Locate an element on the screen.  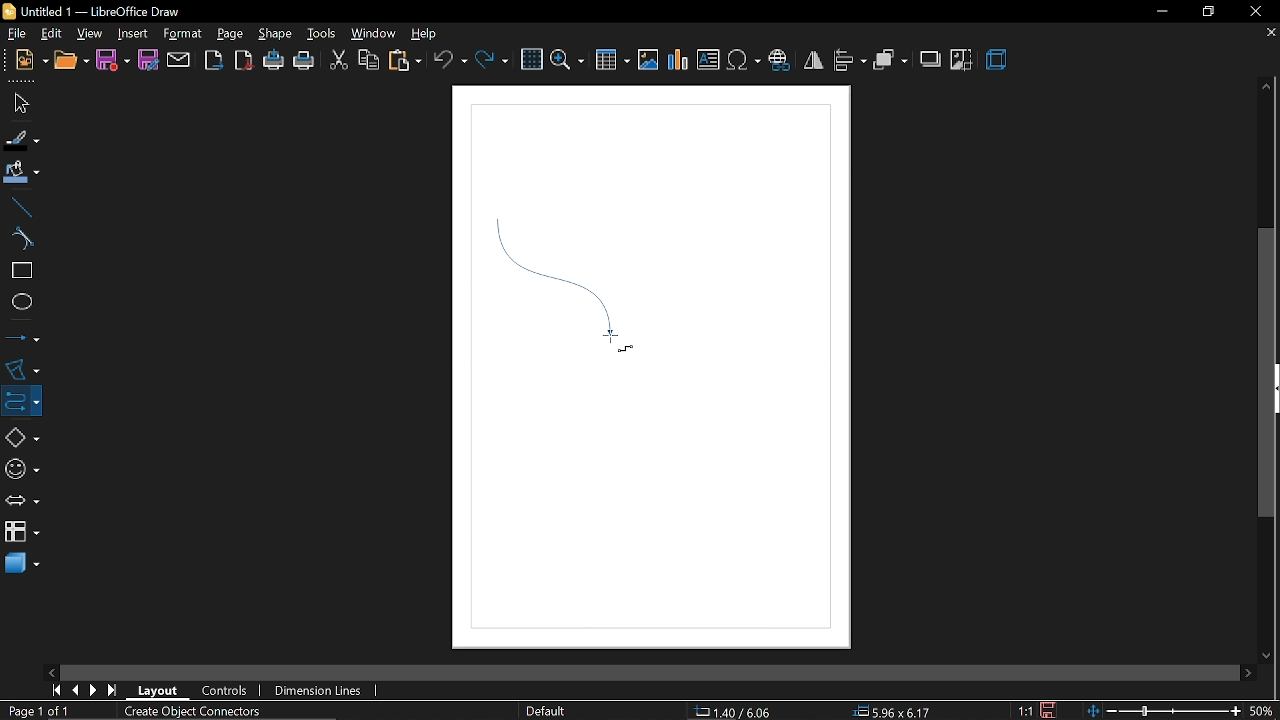
fill line is located at coordinates (23, 138).